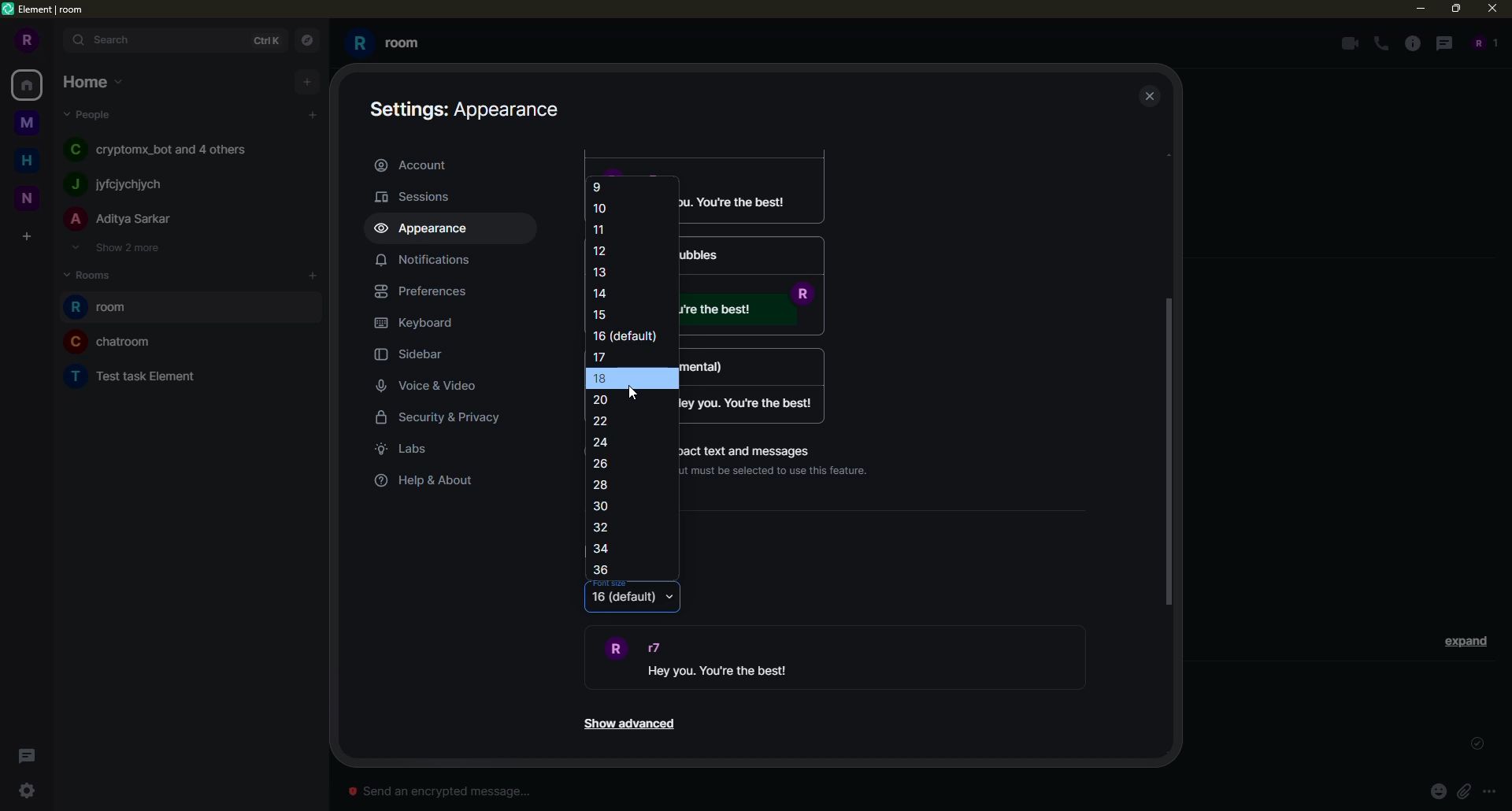  Describe the element at coordinates (598, 185) in the screenshot. I see `9` at that location.